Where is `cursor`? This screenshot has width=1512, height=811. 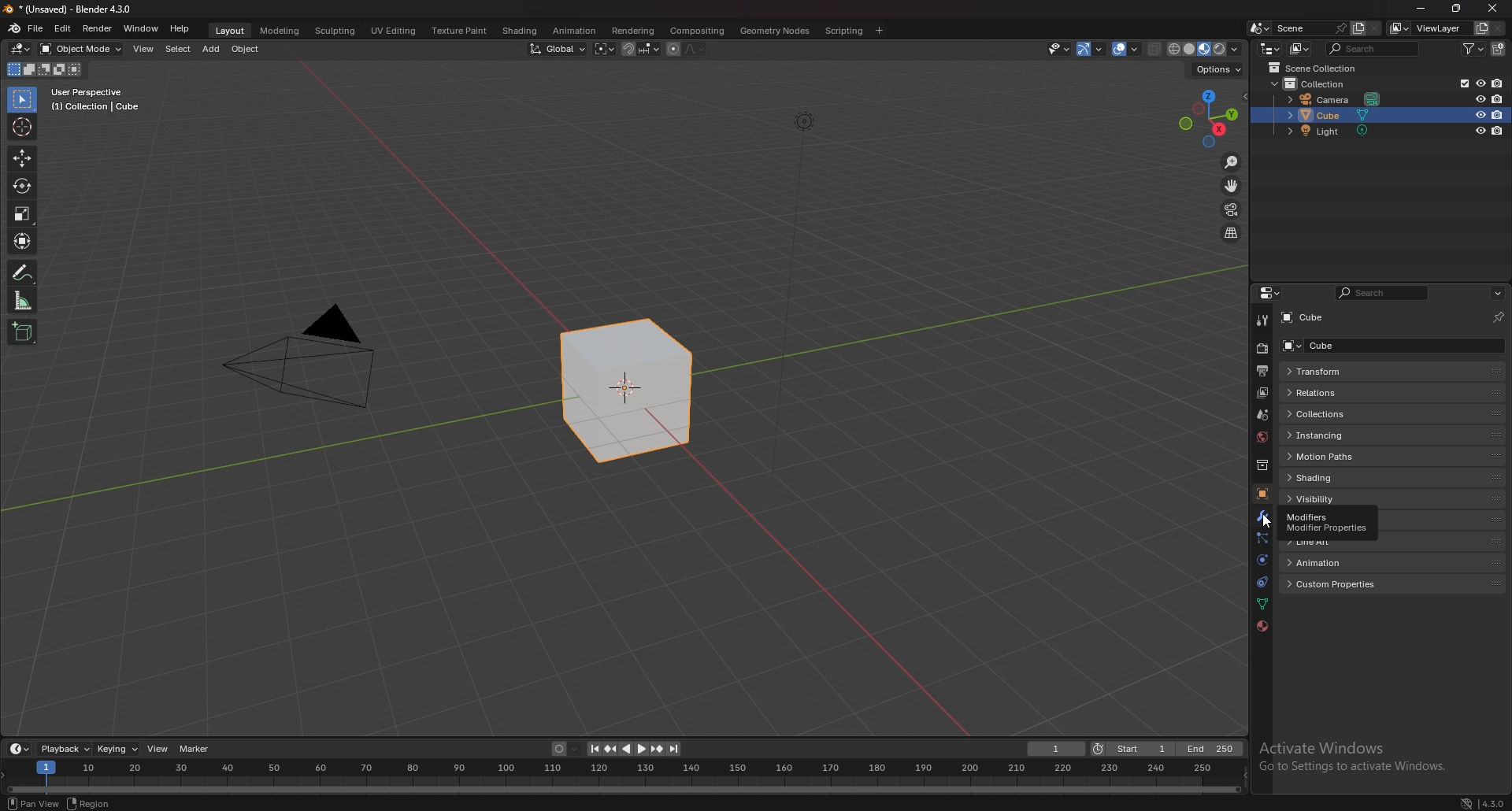
cursor is located at coordinates (1267, 523).